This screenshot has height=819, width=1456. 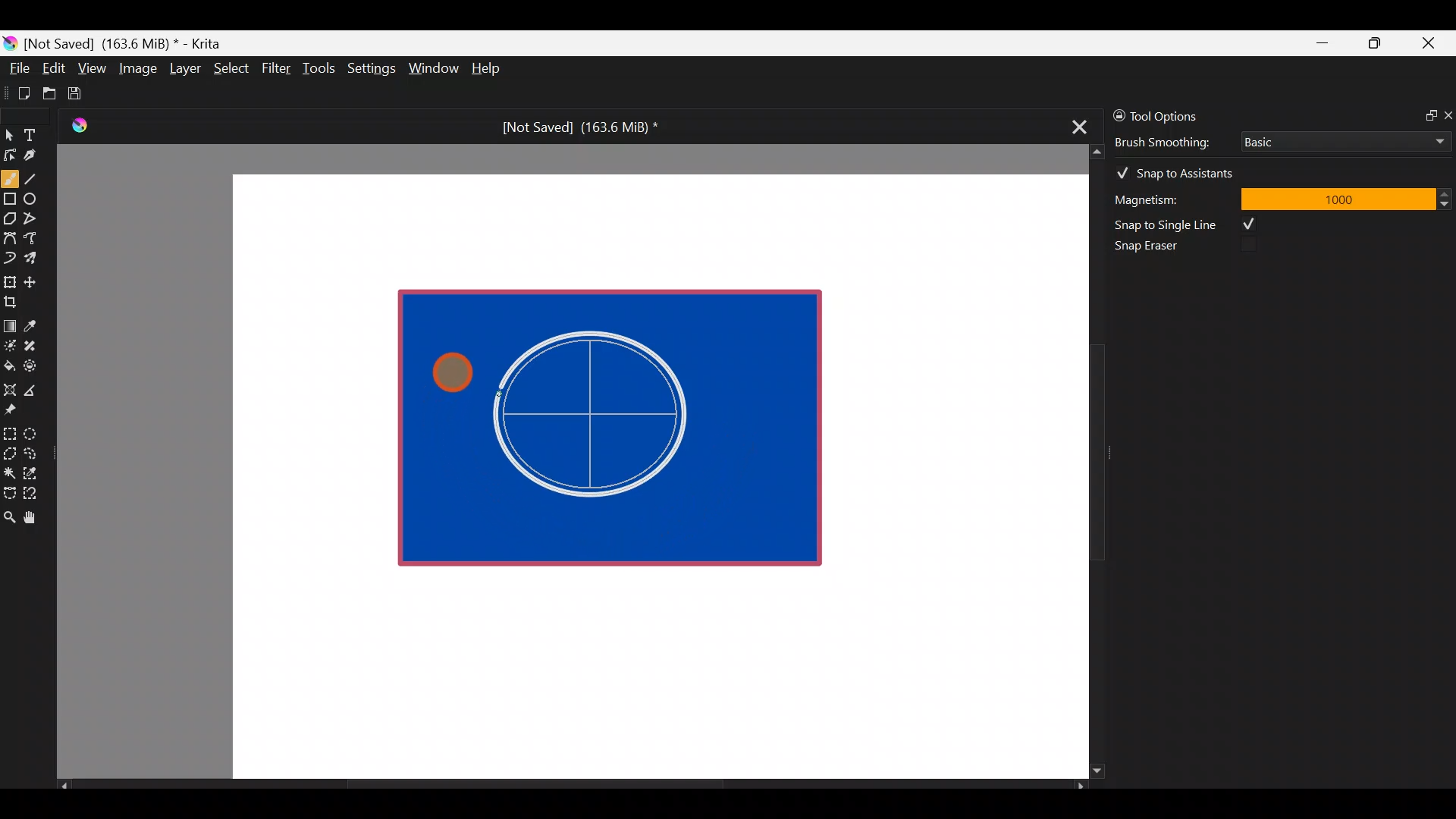 What do you see at coordinates (574, 127) in the screenshot?
I see `[Not Saved] (163.6 MiB) *` at bounding box center [574, 127].